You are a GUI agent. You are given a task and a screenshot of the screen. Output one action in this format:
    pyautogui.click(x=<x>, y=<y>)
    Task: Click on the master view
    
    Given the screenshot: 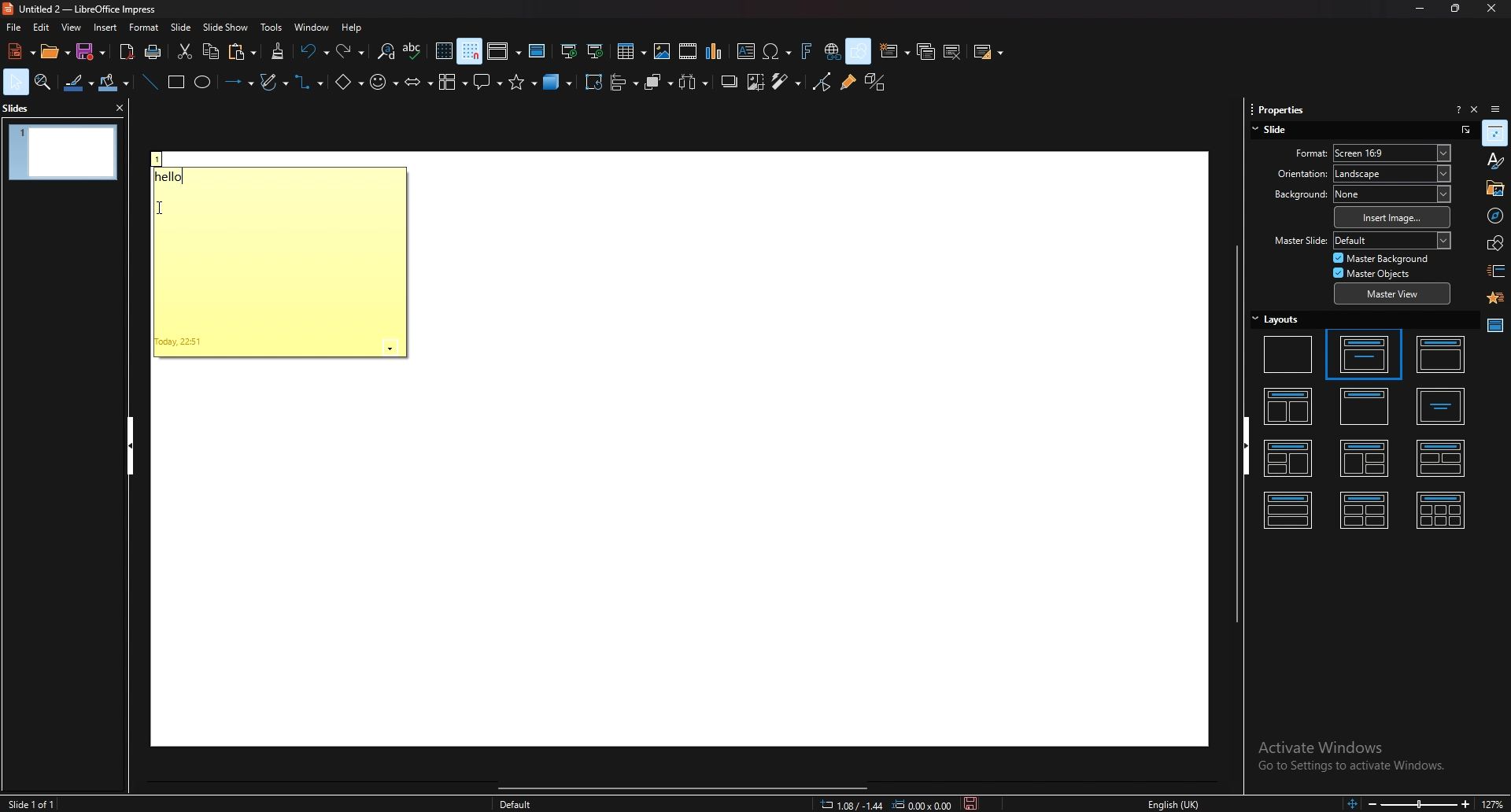 What is the action you would take?
    pyautogui.click(x=1391, y=295)
    